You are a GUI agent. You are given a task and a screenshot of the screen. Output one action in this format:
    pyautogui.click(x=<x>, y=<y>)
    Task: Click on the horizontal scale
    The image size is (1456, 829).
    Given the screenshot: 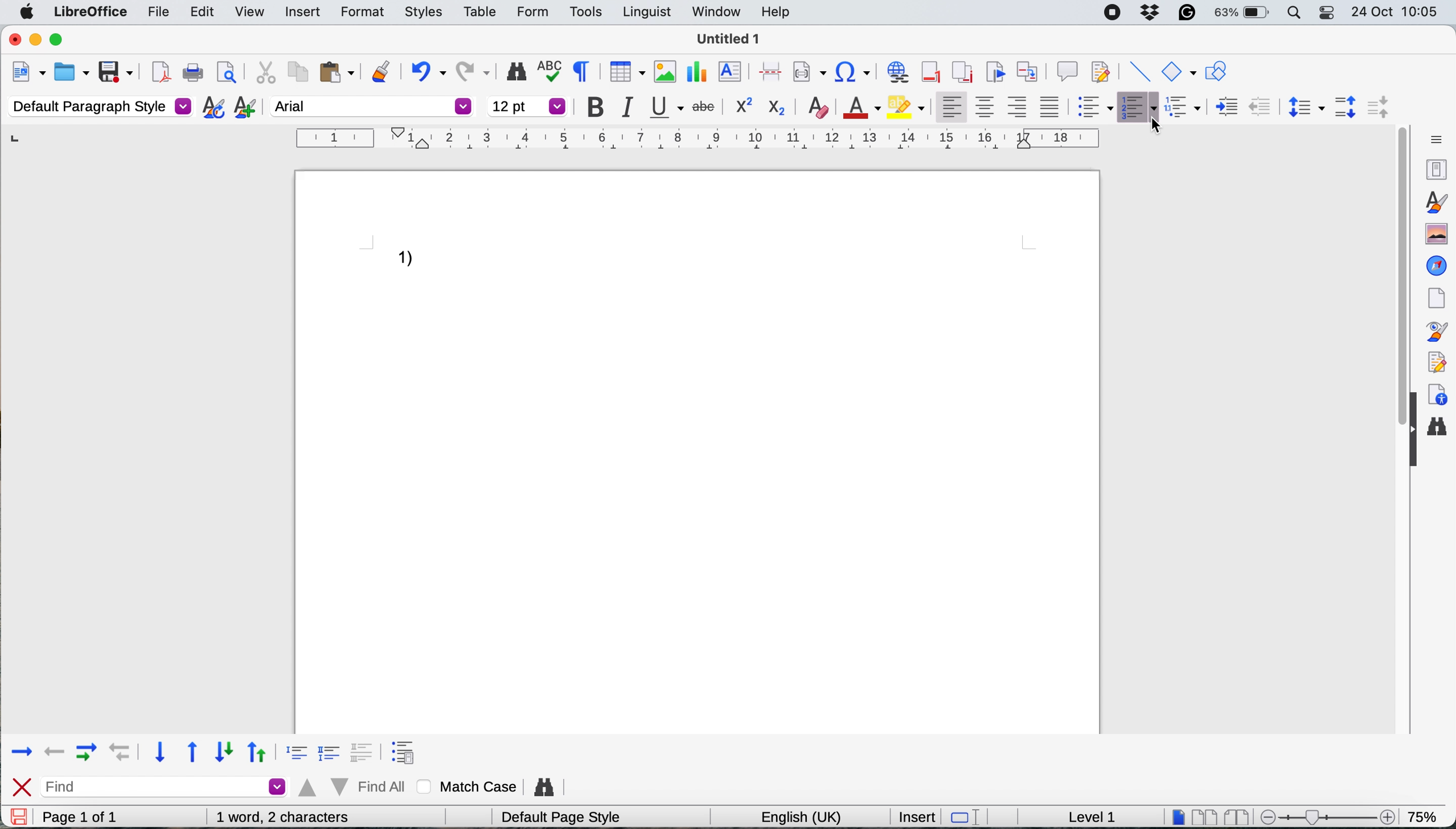 What is the action you would take?
    pyautogui.click(x=699, y=141)
    